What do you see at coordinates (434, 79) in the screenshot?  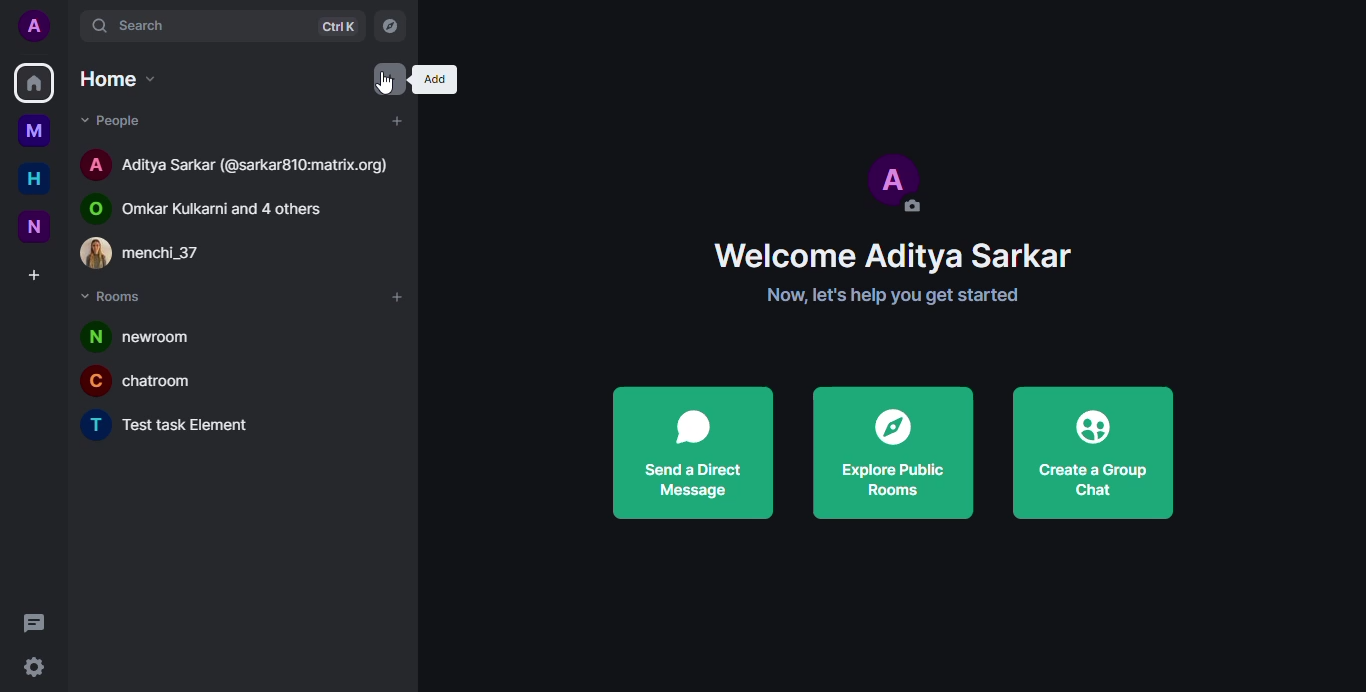 I see `add icon` at bounding box center [434, 79].